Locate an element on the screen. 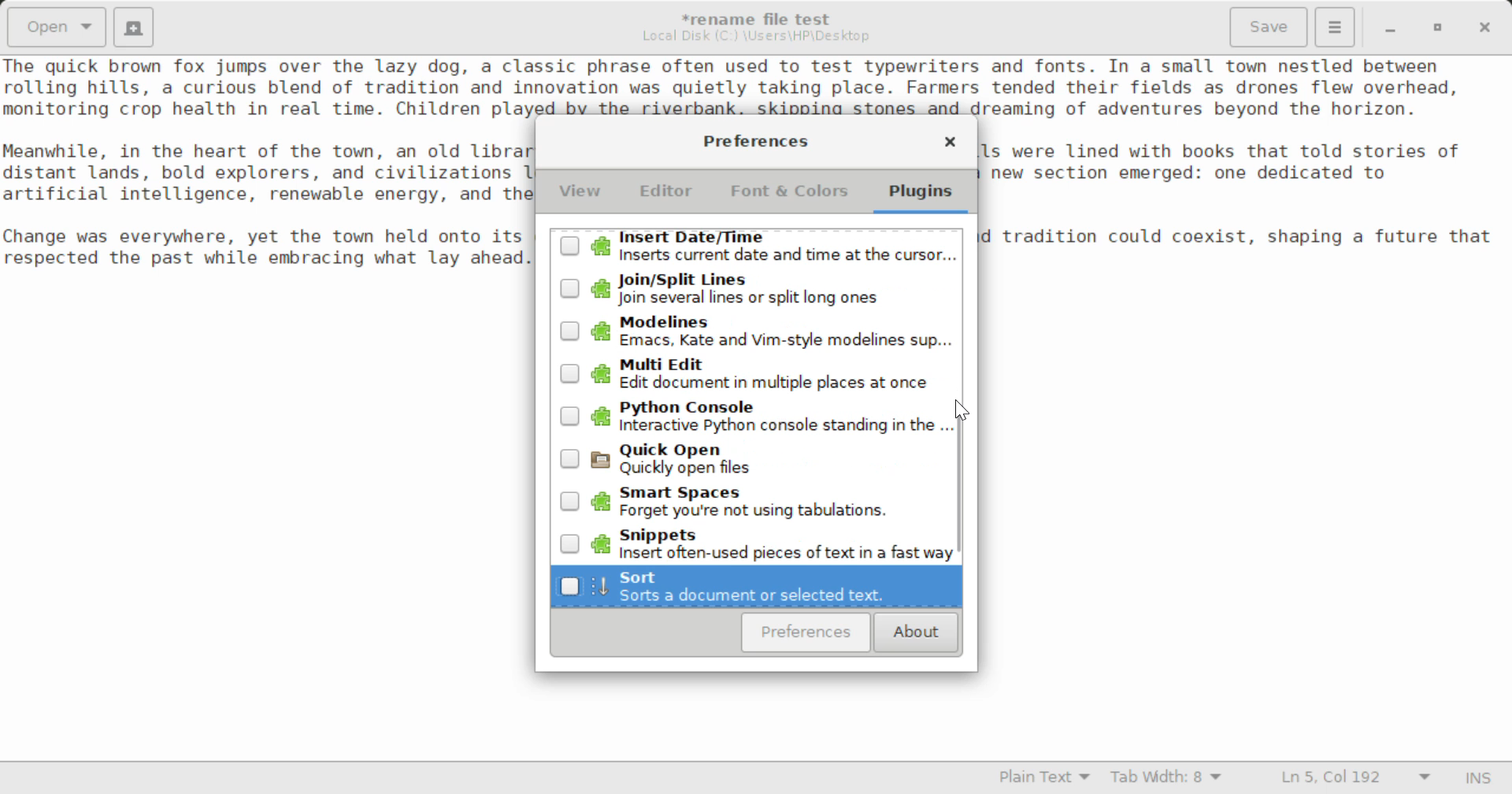  About is located at coordinates (913, 633).